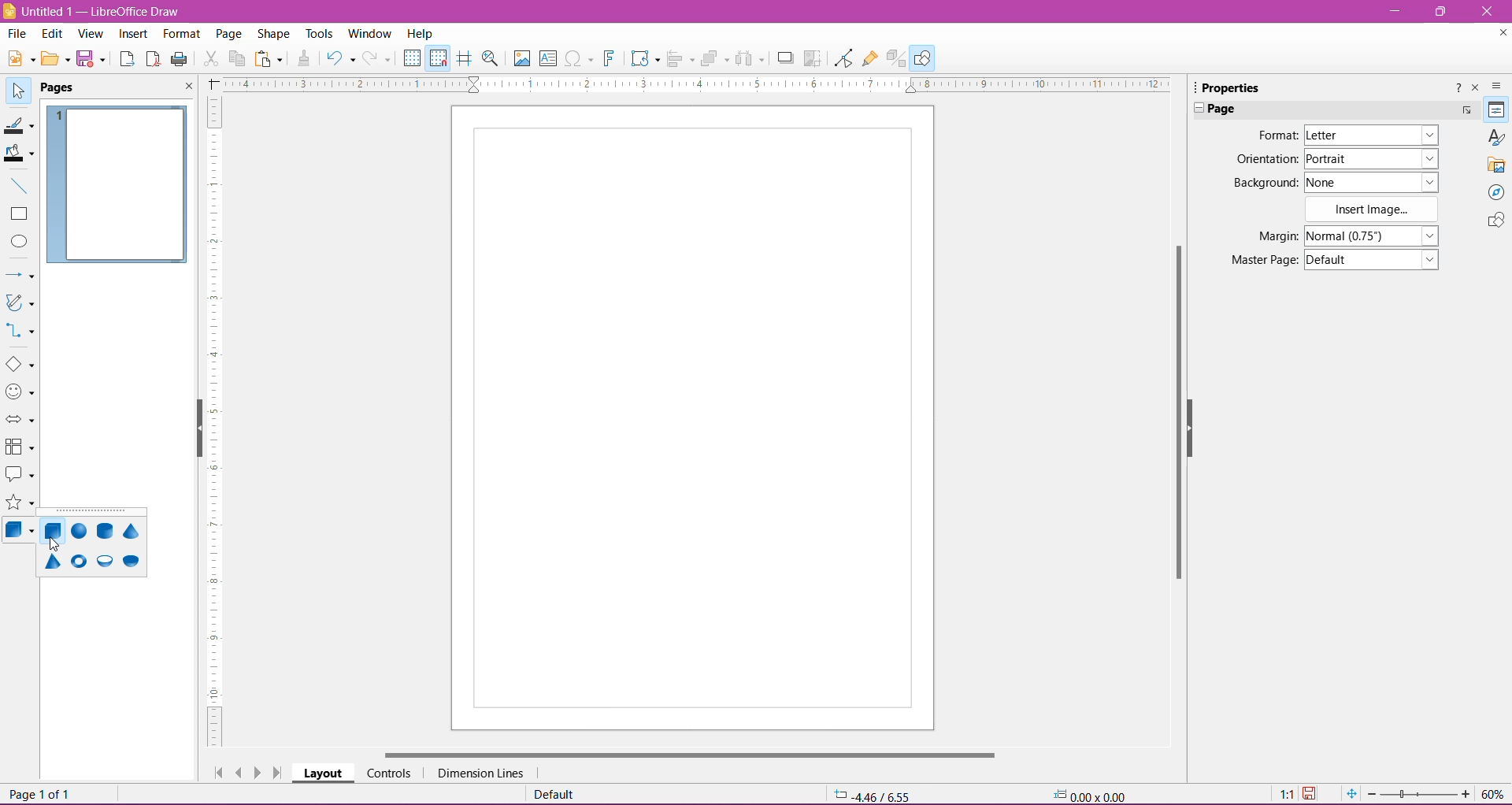 The image size is (1512, 805). Describe the element at coordinates (20, 364) in the screenshot. I see `Basic Shapes` at that location.